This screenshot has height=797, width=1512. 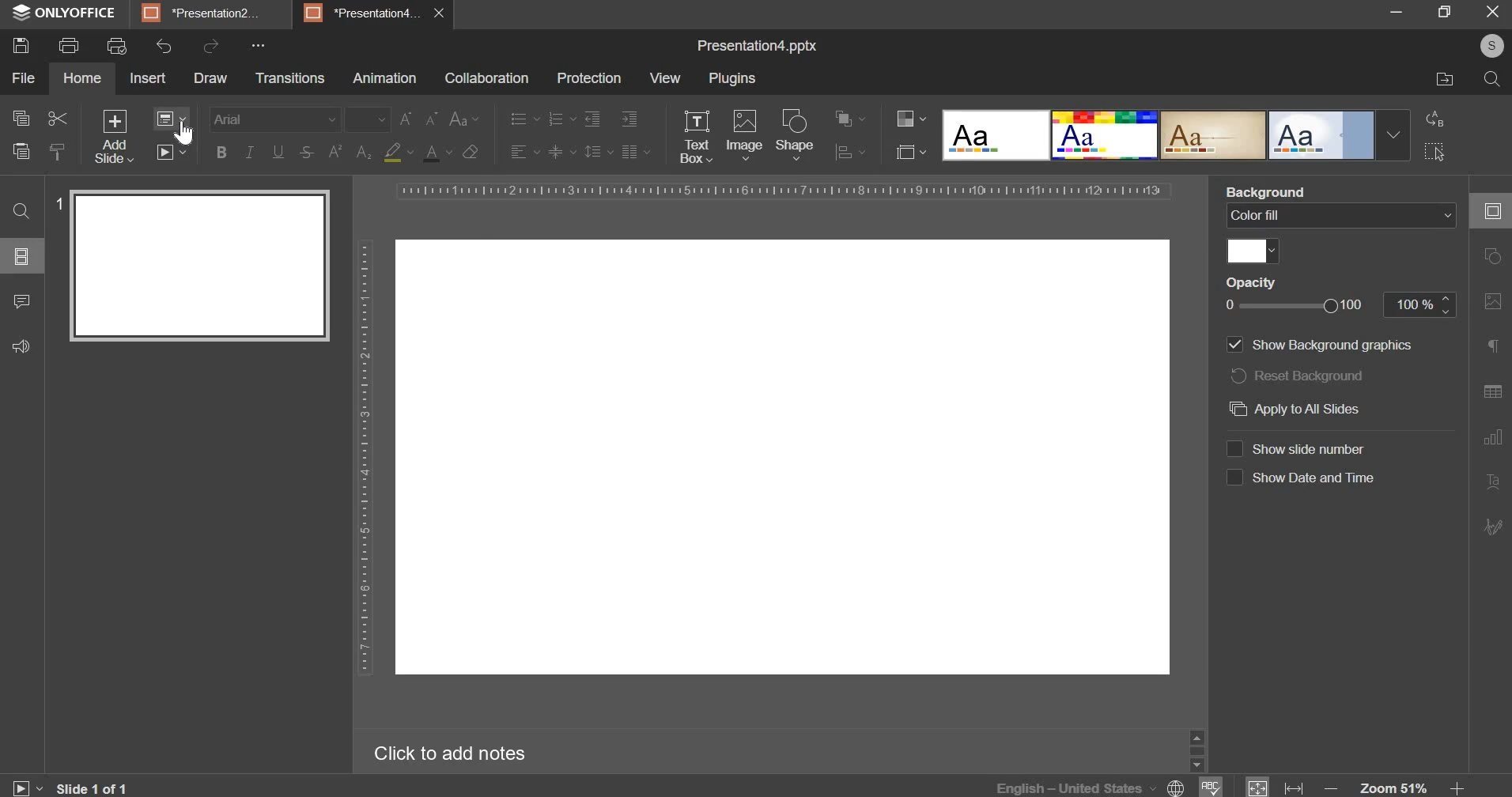 I want to click on minimize, so click(x=1397, y=13).